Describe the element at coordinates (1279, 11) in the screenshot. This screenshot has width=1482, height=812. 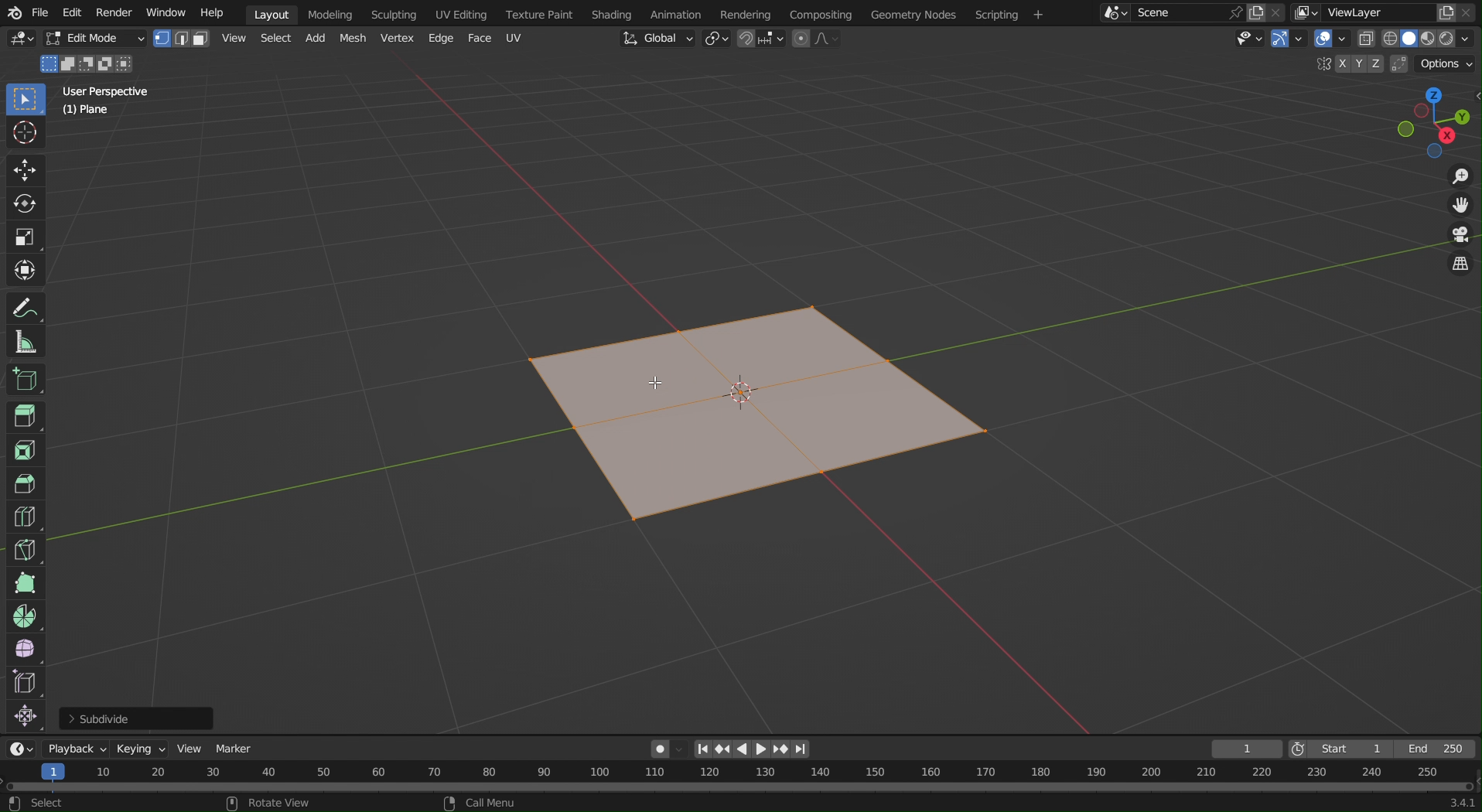
I see `close` at that location.